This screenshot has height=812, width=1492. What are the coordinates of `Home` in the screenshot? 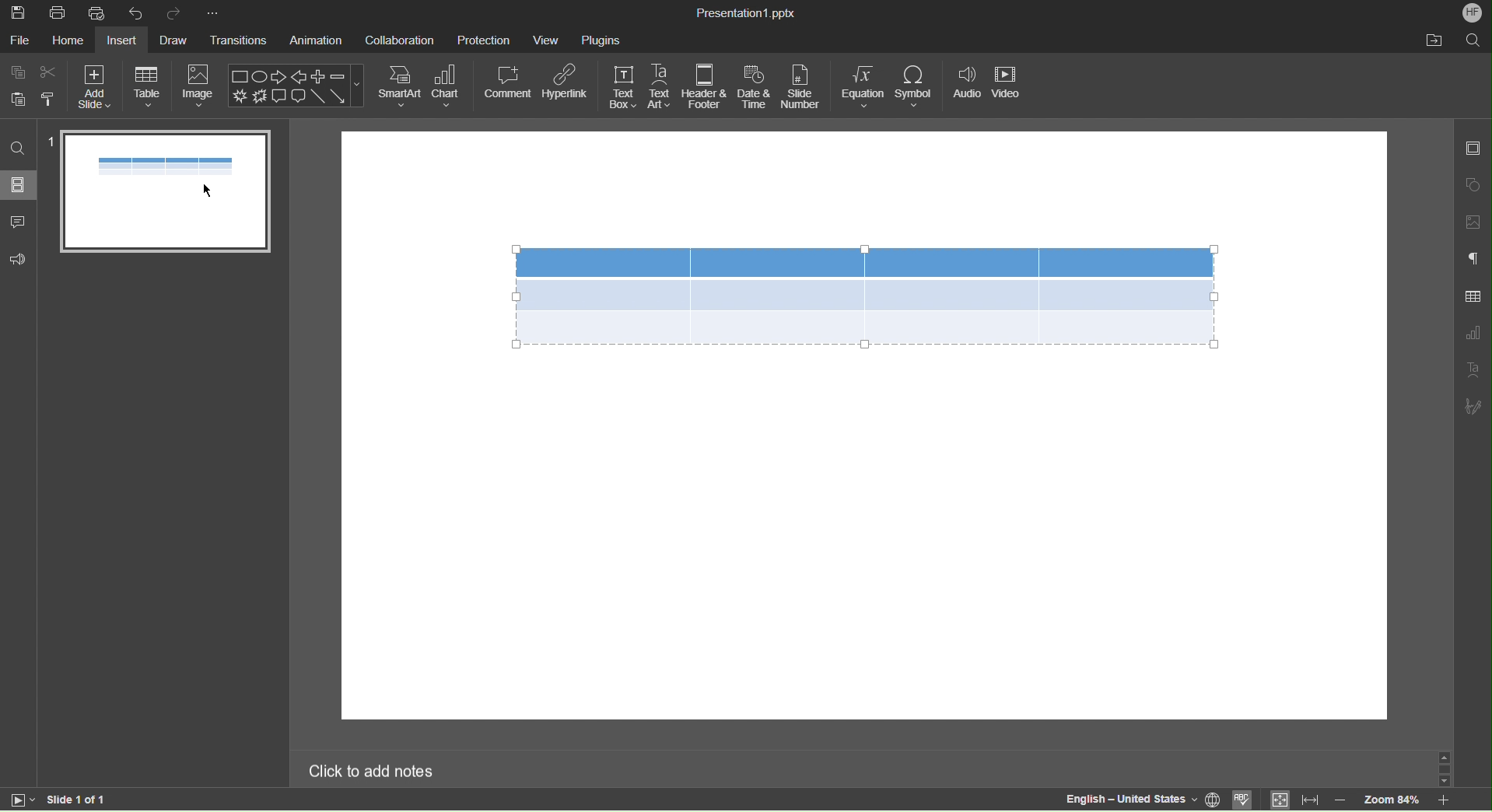 It's located at (71, 42).